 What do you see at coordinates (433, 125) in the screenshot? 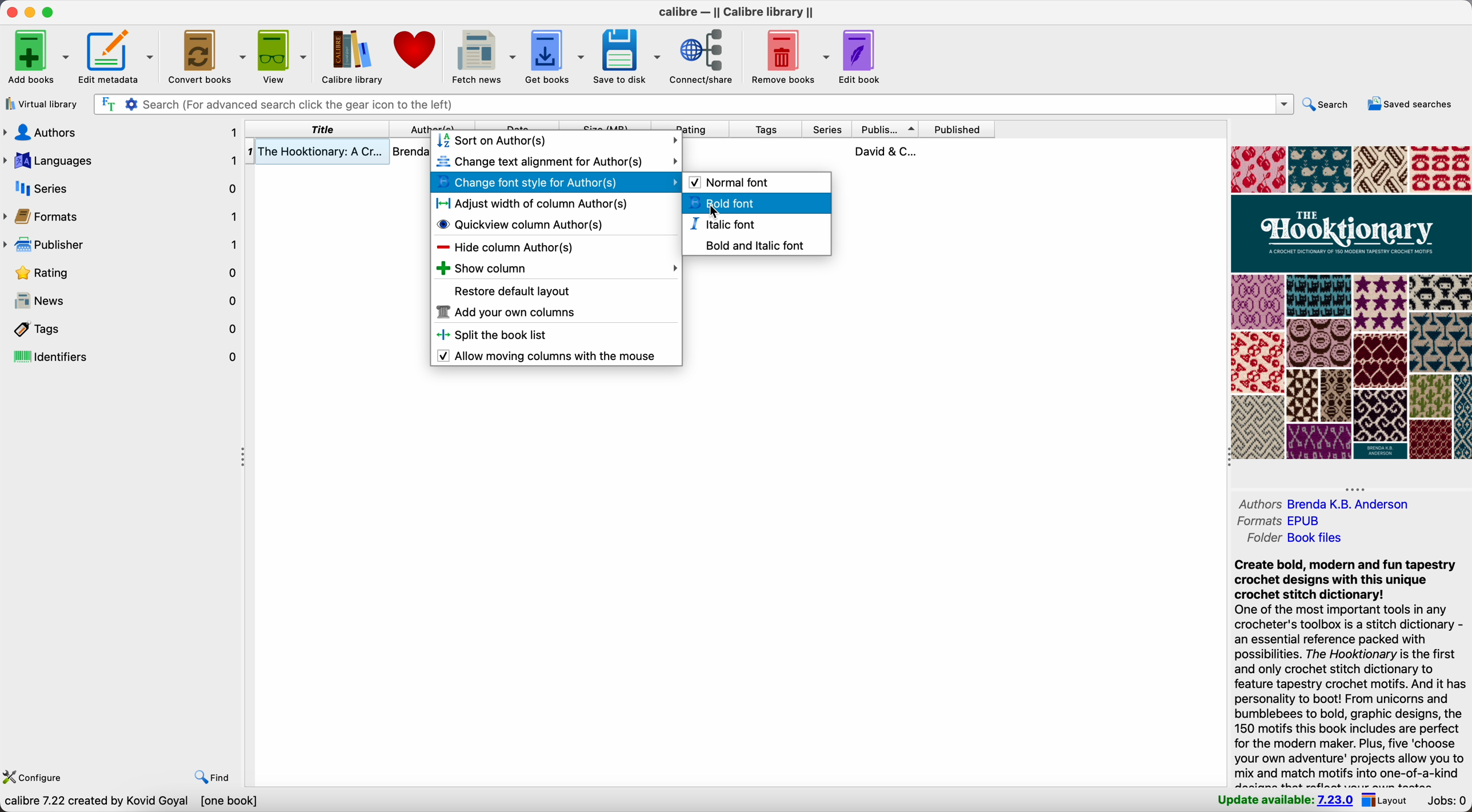
I see `click on author(s)` at bounding box center [433, 125].